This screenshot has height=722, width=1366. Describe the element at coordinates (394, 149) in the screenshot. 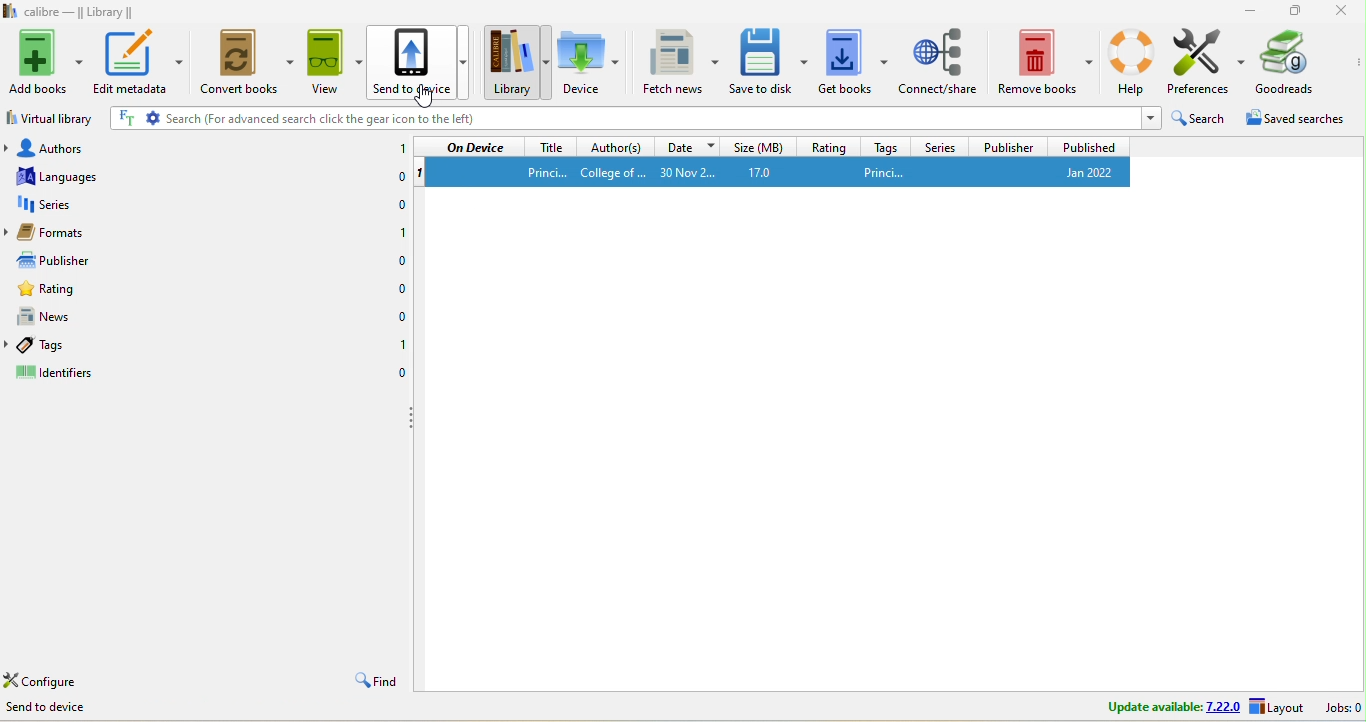

I see `1` at that location.